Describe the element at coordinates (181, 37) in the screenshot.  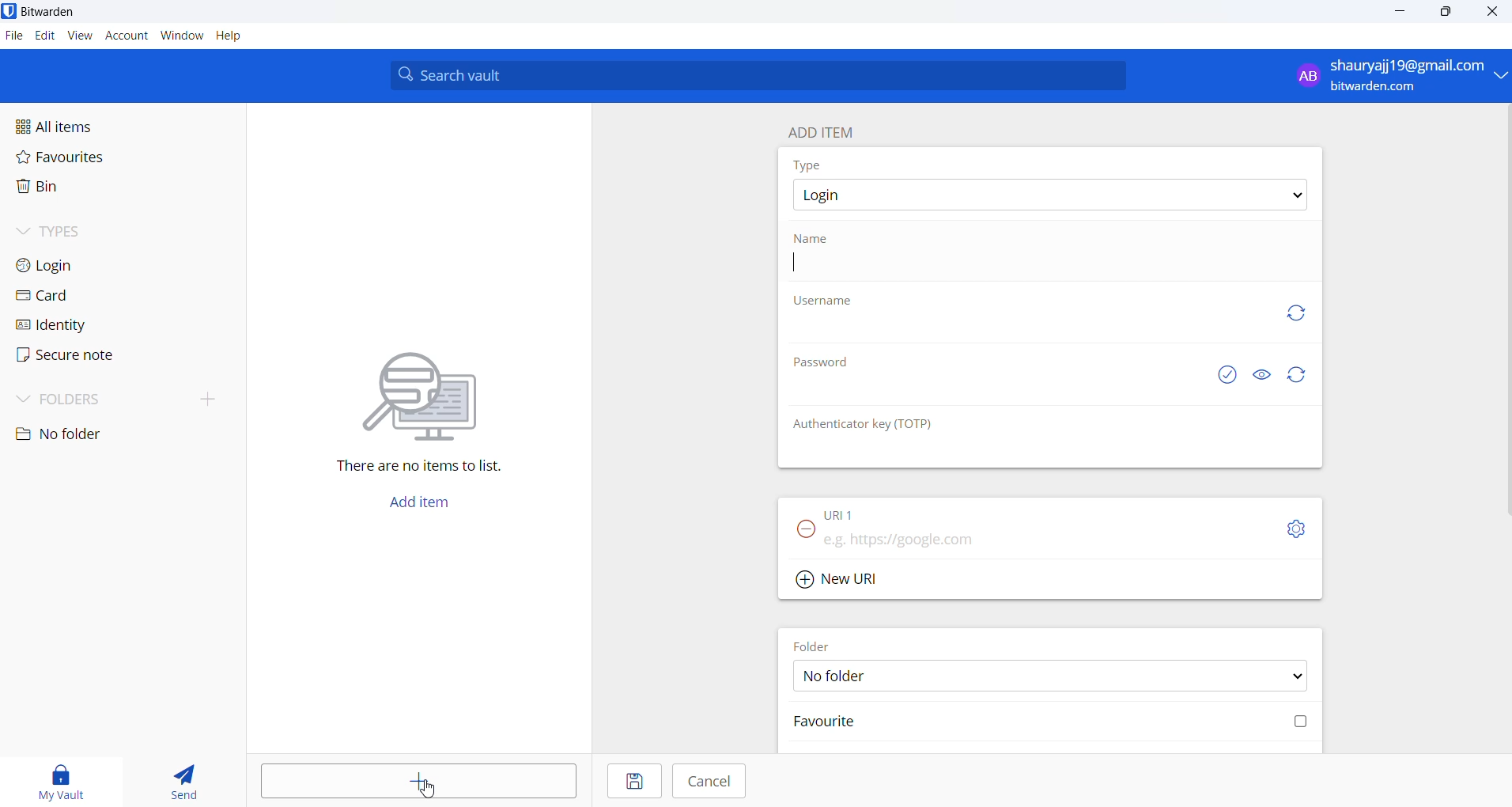
I see `window` at that location.